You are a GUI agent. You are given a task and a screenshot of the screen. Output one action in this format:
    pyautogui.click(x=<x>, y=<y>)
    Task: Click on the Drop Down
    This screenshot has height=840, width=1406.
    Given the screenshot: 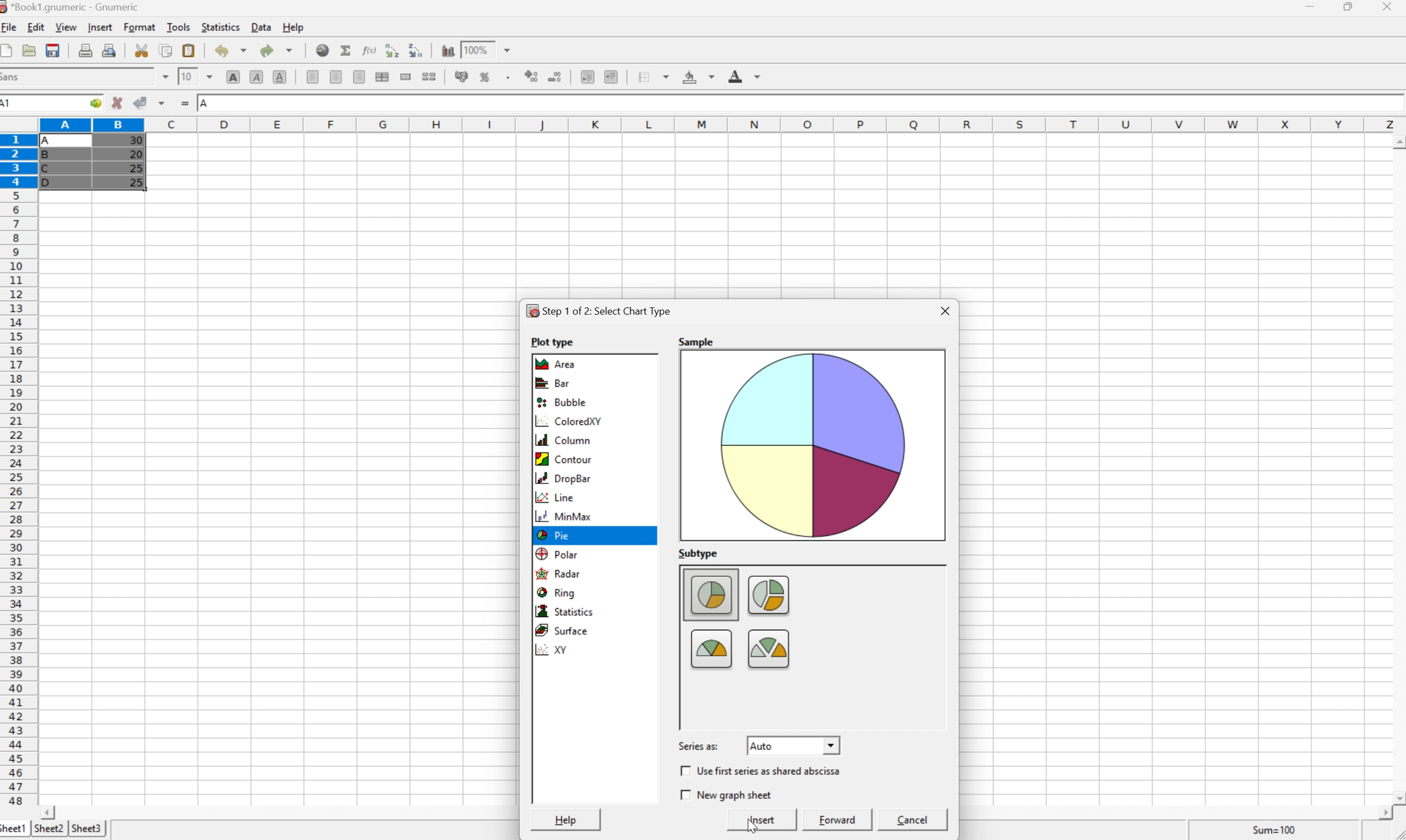 What is the action you would take?
    pyautogui.click(x=511, y=49)
    